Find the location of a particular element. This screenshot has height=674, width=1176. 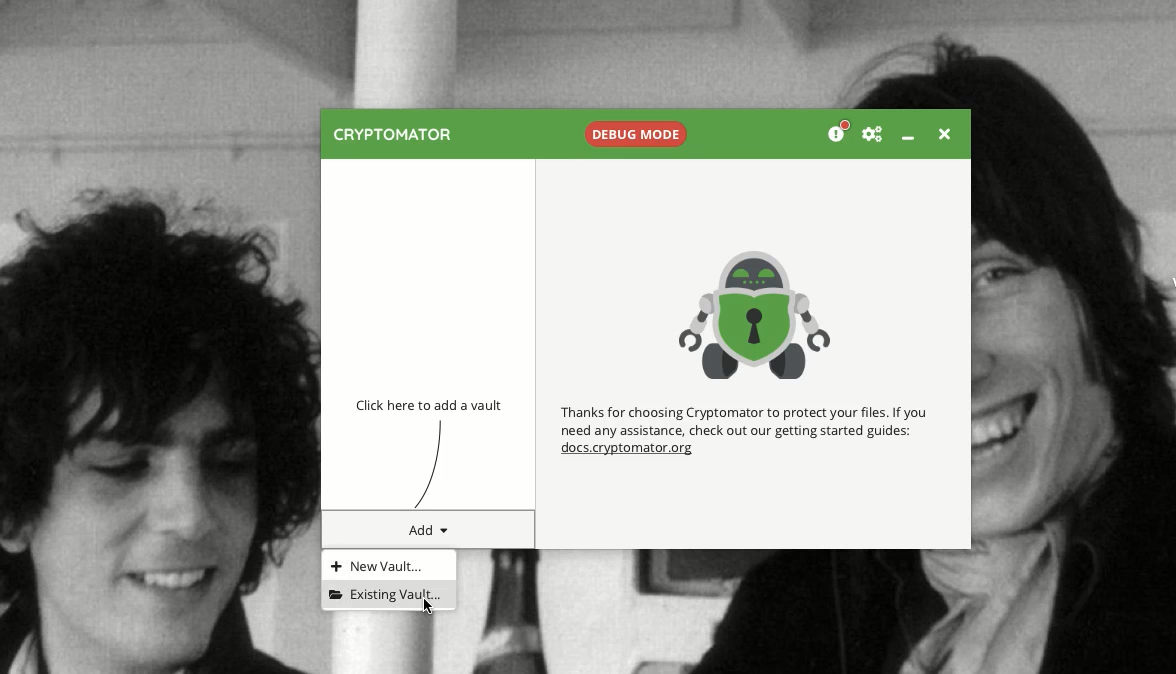

Please consider donating  is located at coordinates (836, 131).